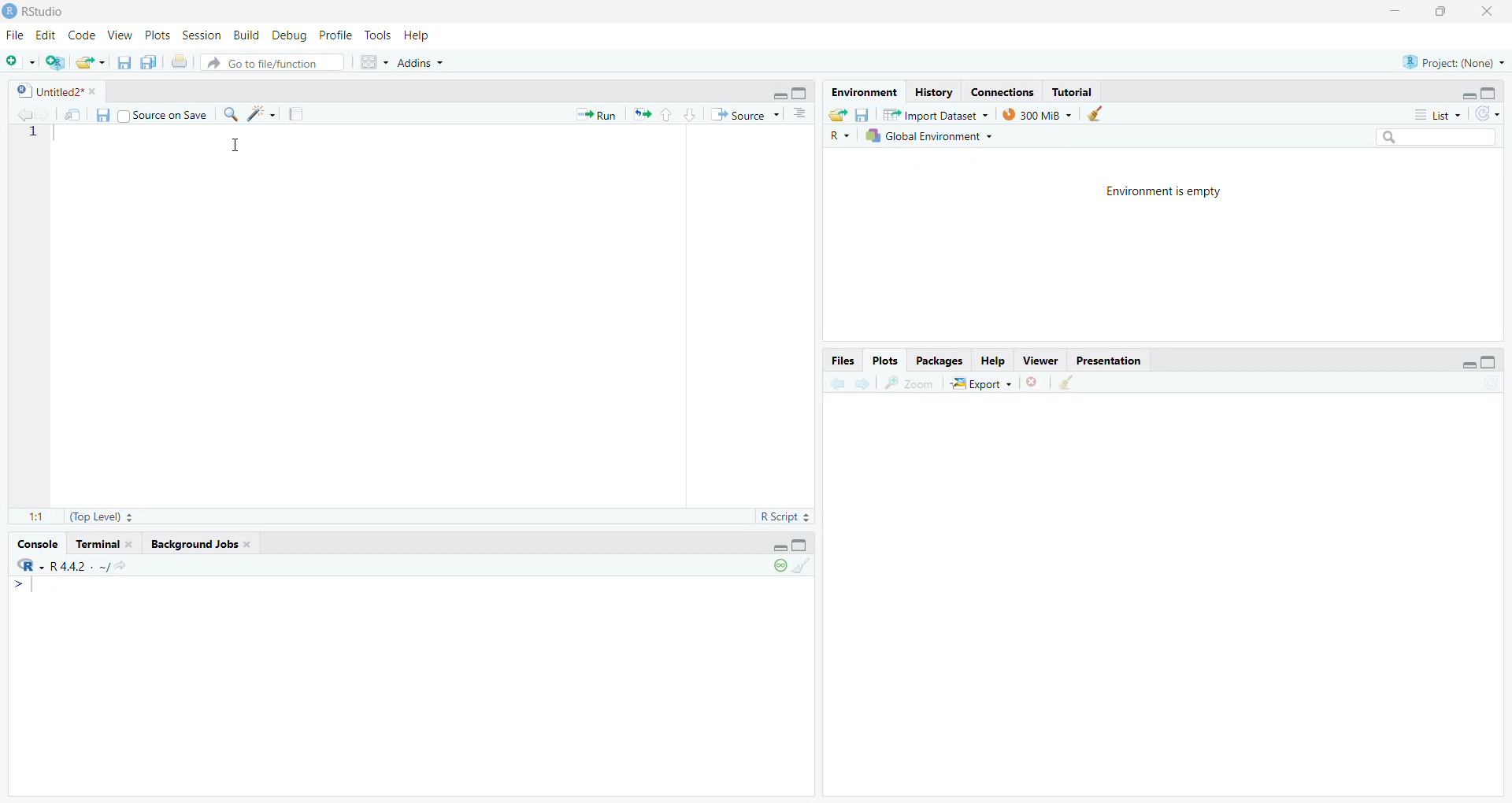 The height and width of the screenshot is (803, 1512). Describe the element at coordinates (1492, 92) in the screenshot. I see `hide console` at that location.